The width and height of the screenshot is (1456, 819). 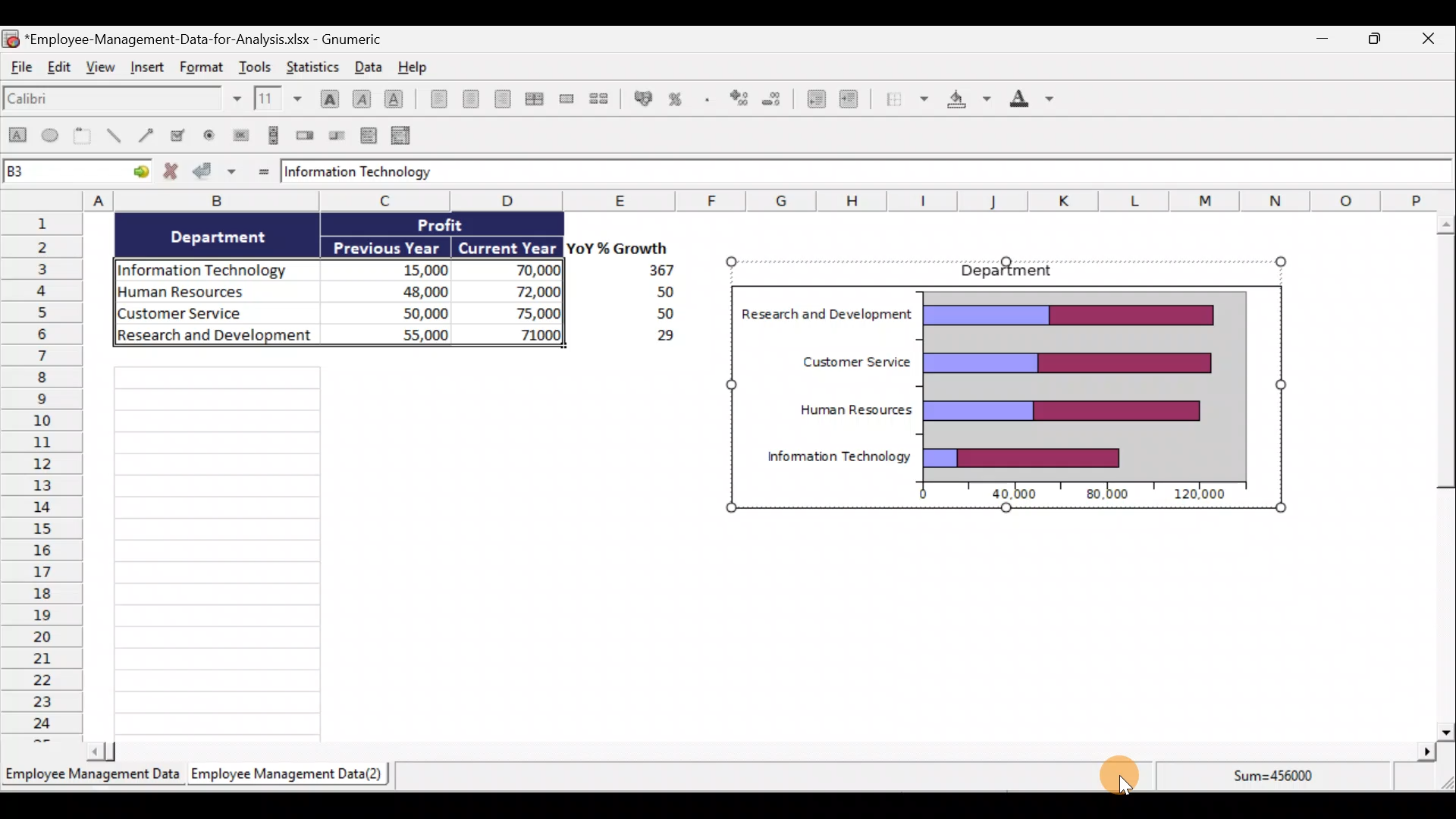 I want to click on Create a scrollbar, so click(x=271, y=135).